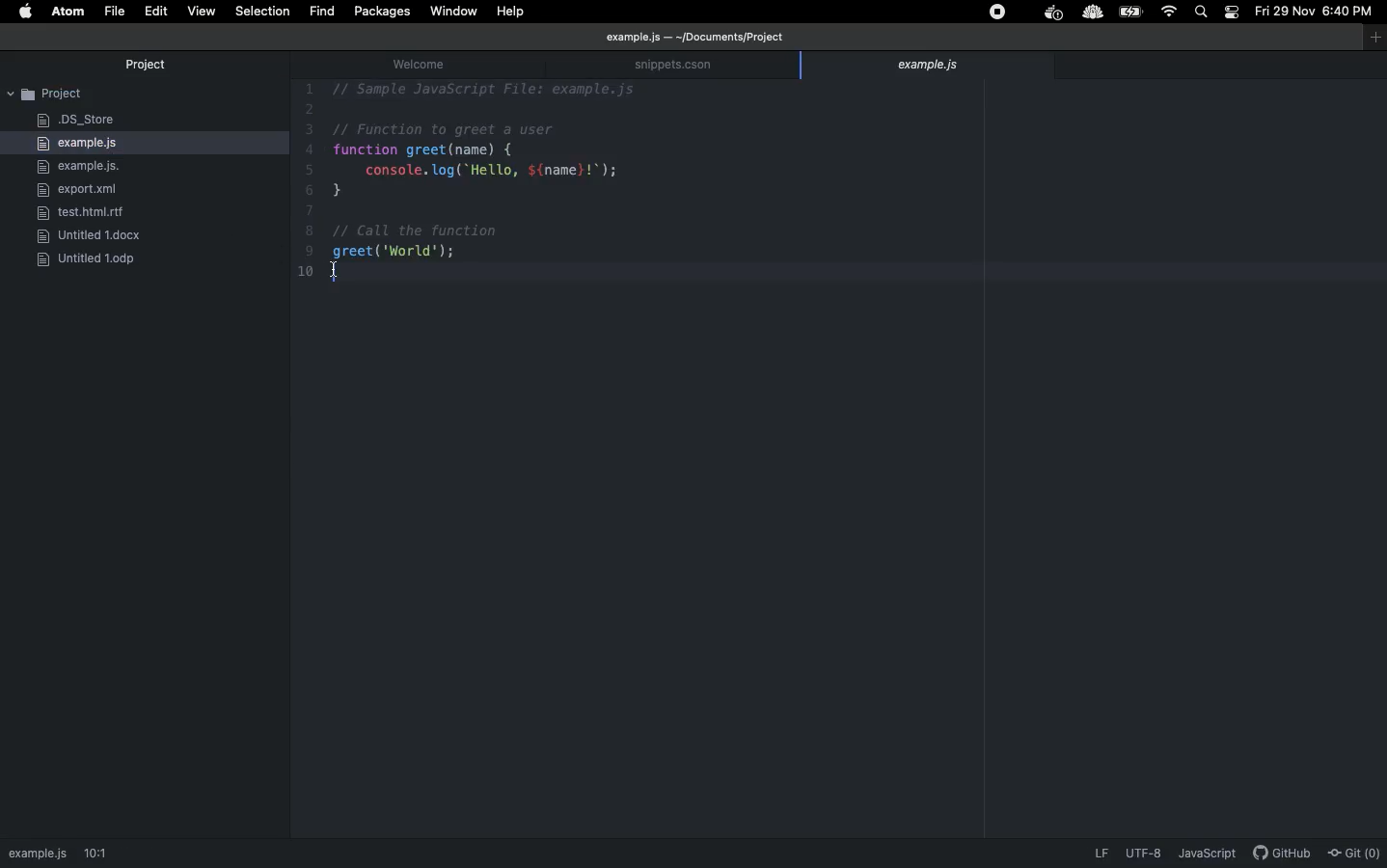  I want to click on extension, so click(1052, 14).